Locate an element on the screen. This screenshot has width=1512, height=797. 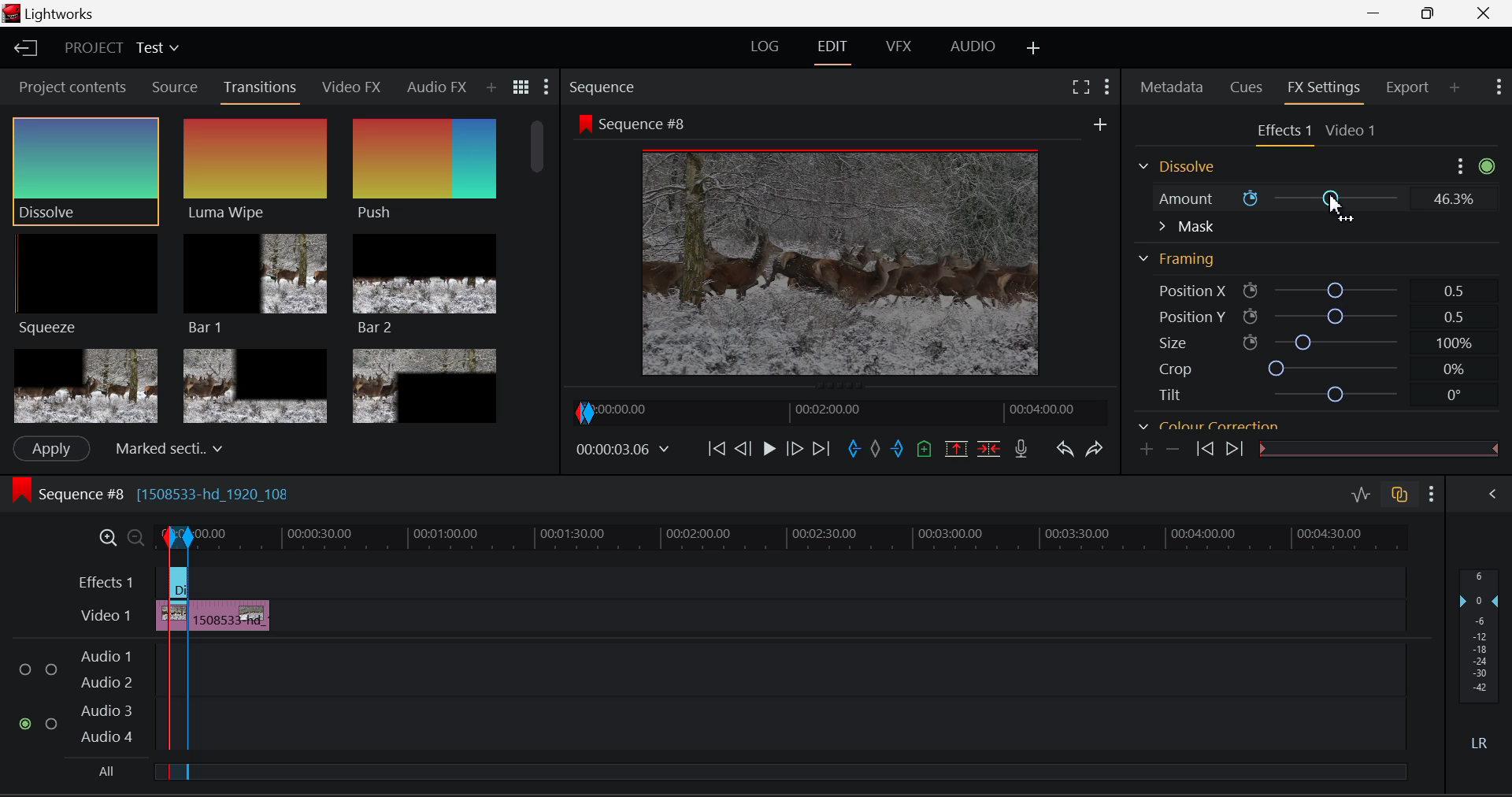
Audio Input Checkbox is located at coordinates (27, 664).